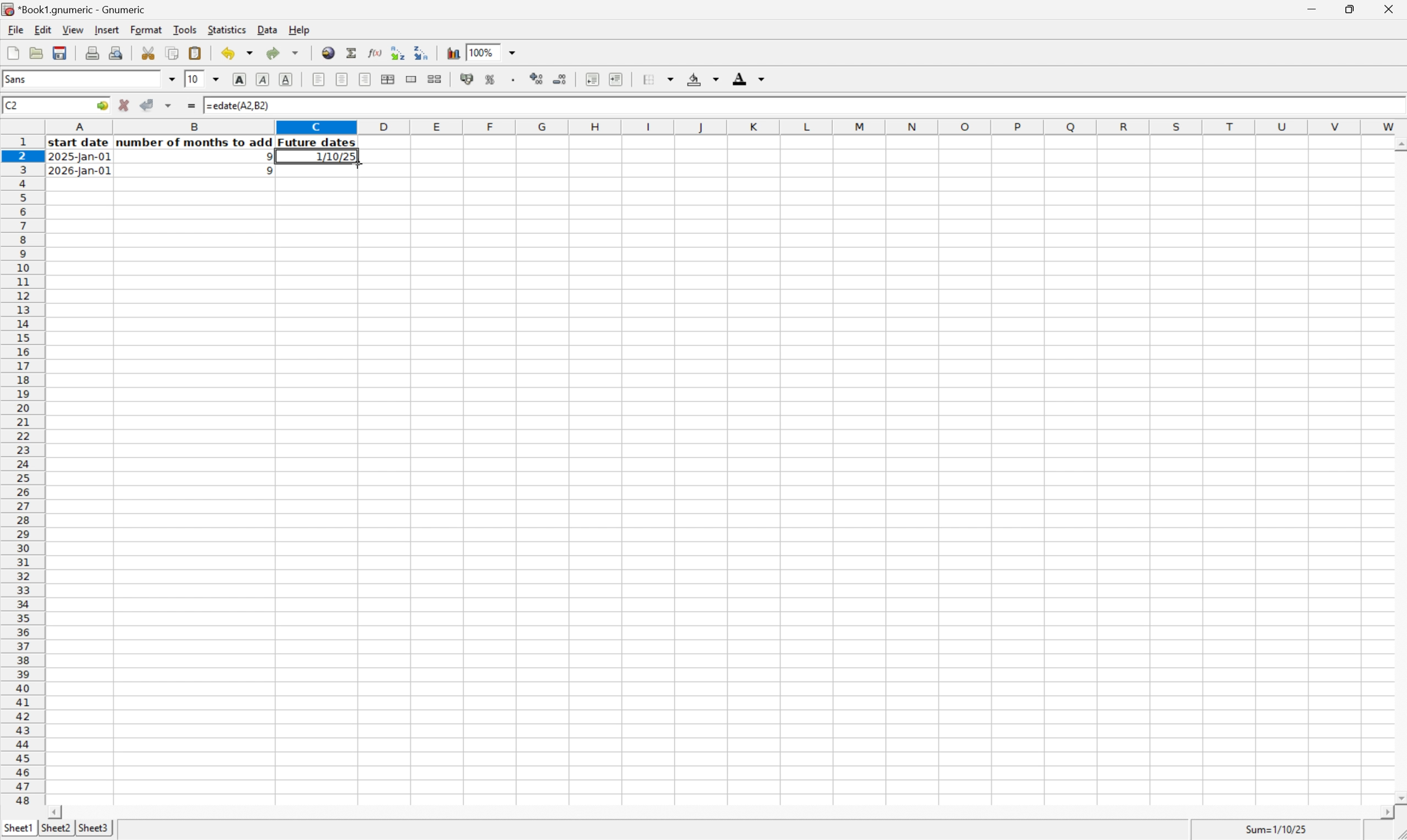 Image resolution: width=1407 pixels, height=840 pixels. Describe the element at coordinates (561, 78) in the screenshot. I see `Decrease the number of decimals displayed` at that location.